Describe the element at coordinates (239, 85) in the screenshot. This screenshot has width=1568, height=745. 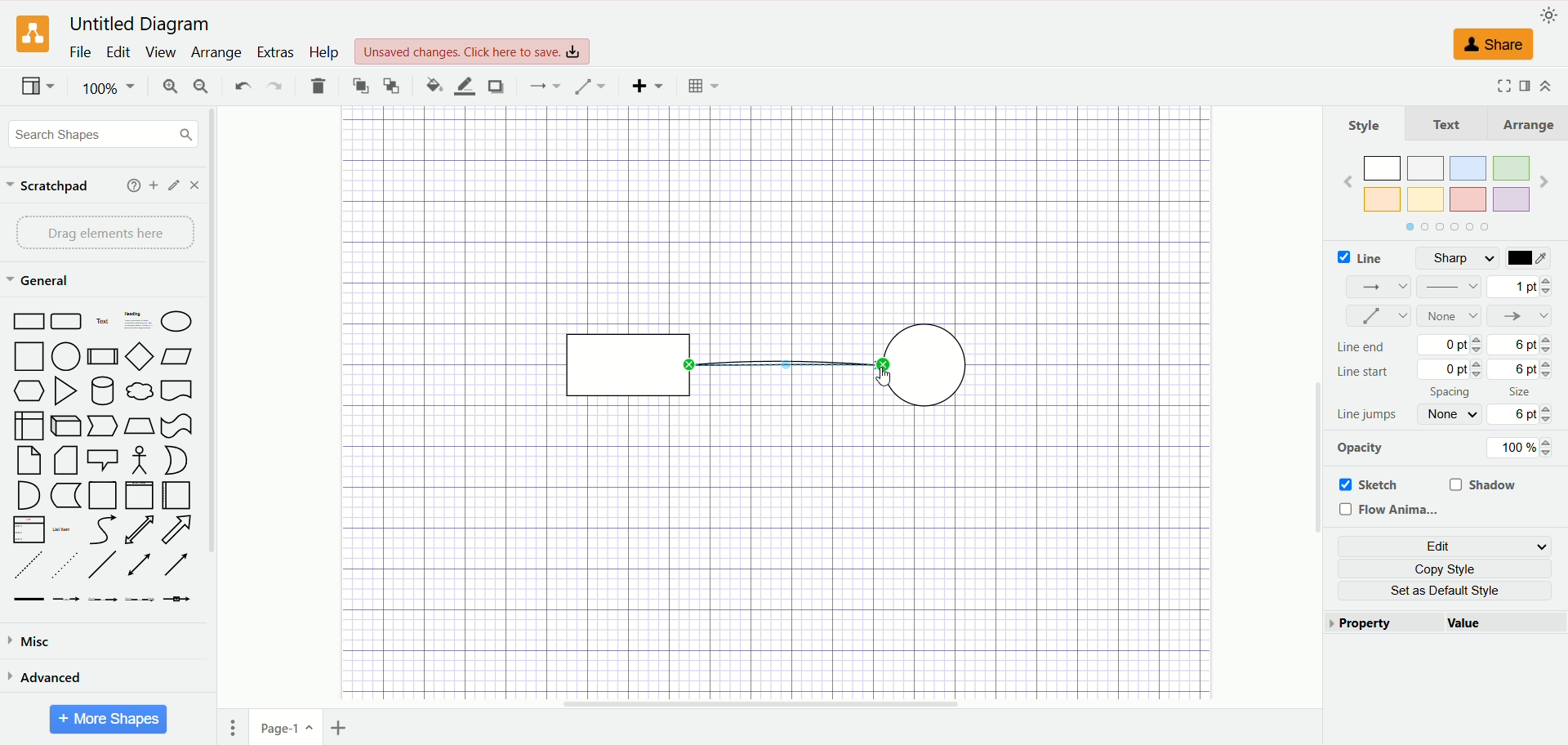
I see `undo` at that location.